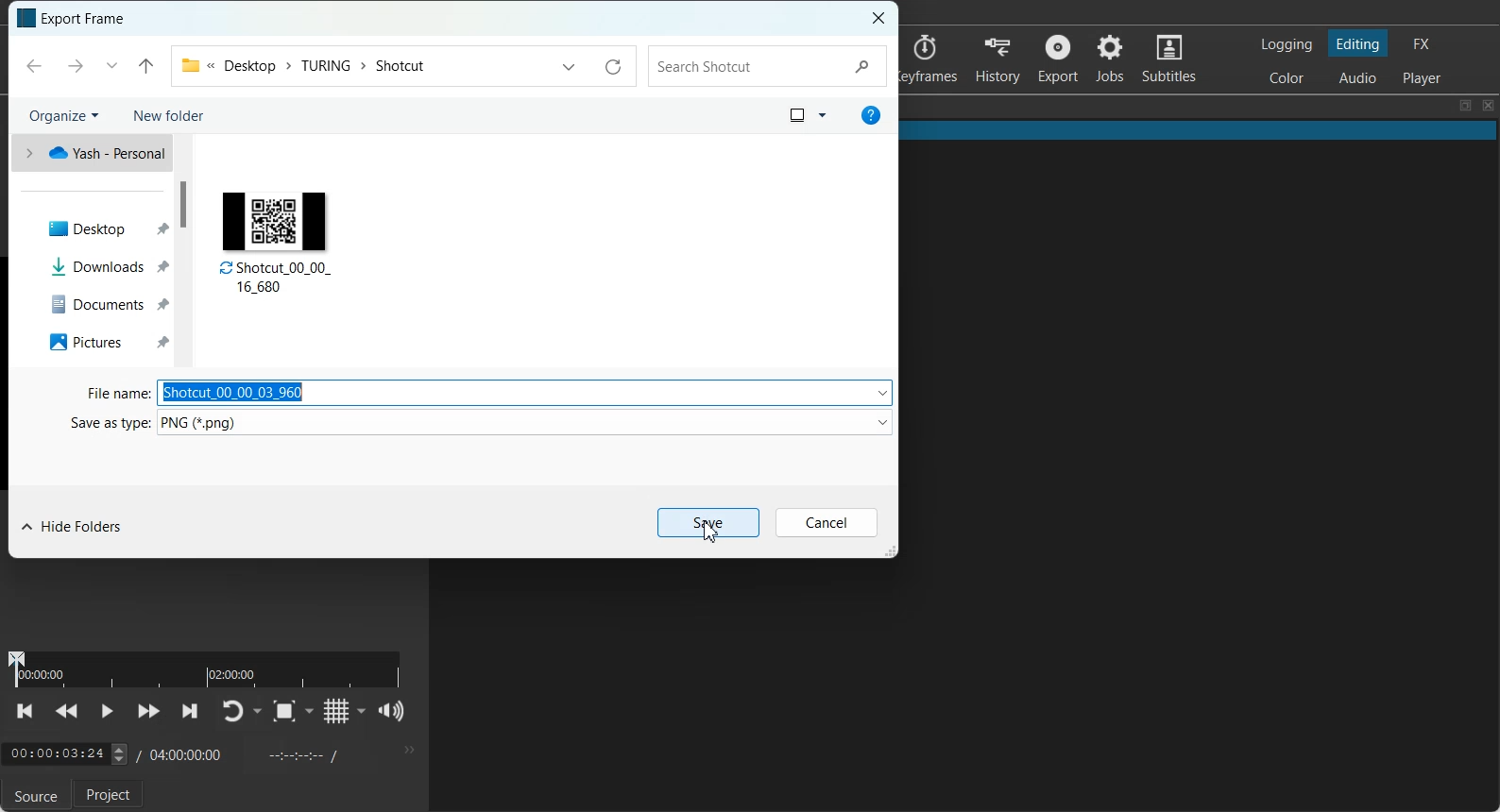 The height and width of the screenshot is (812, 1500). I want to click on Time, so click(188, 753).